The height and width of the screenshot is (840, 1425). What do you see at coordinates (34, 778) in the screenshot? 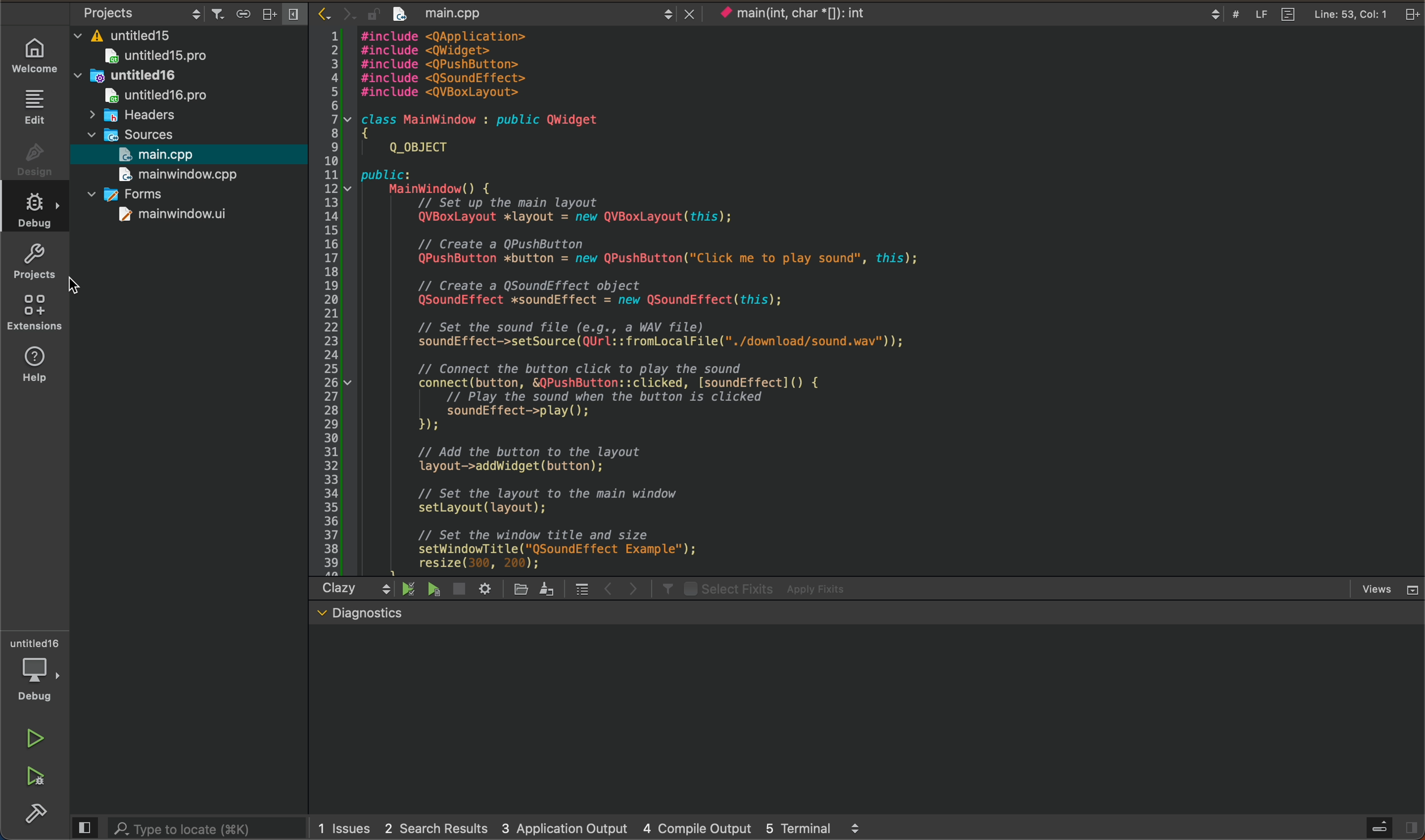
I see `run and debug` at bounding box center [34, 778].